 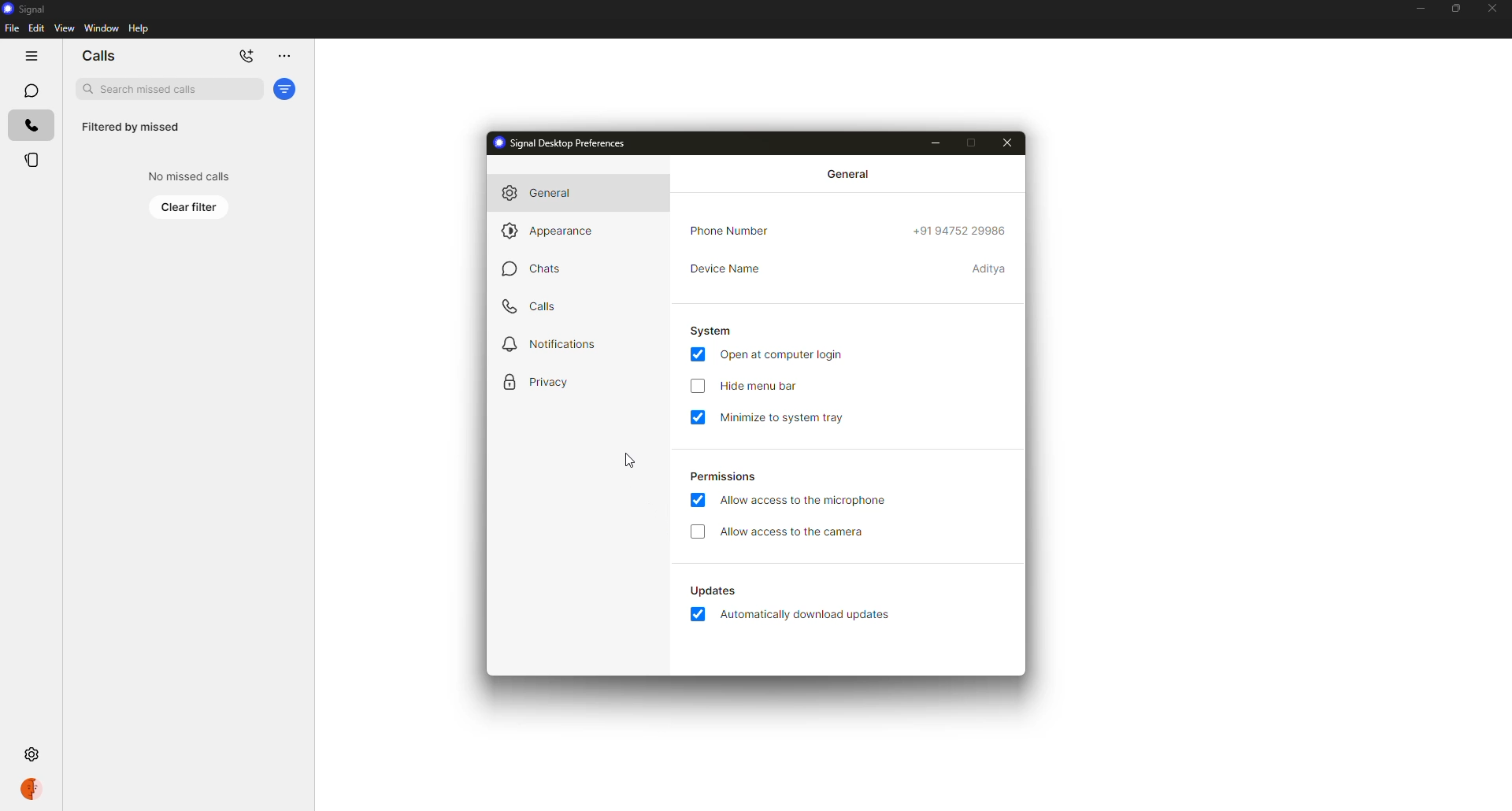 I want to click on cursor, so click(x=630, y=460).